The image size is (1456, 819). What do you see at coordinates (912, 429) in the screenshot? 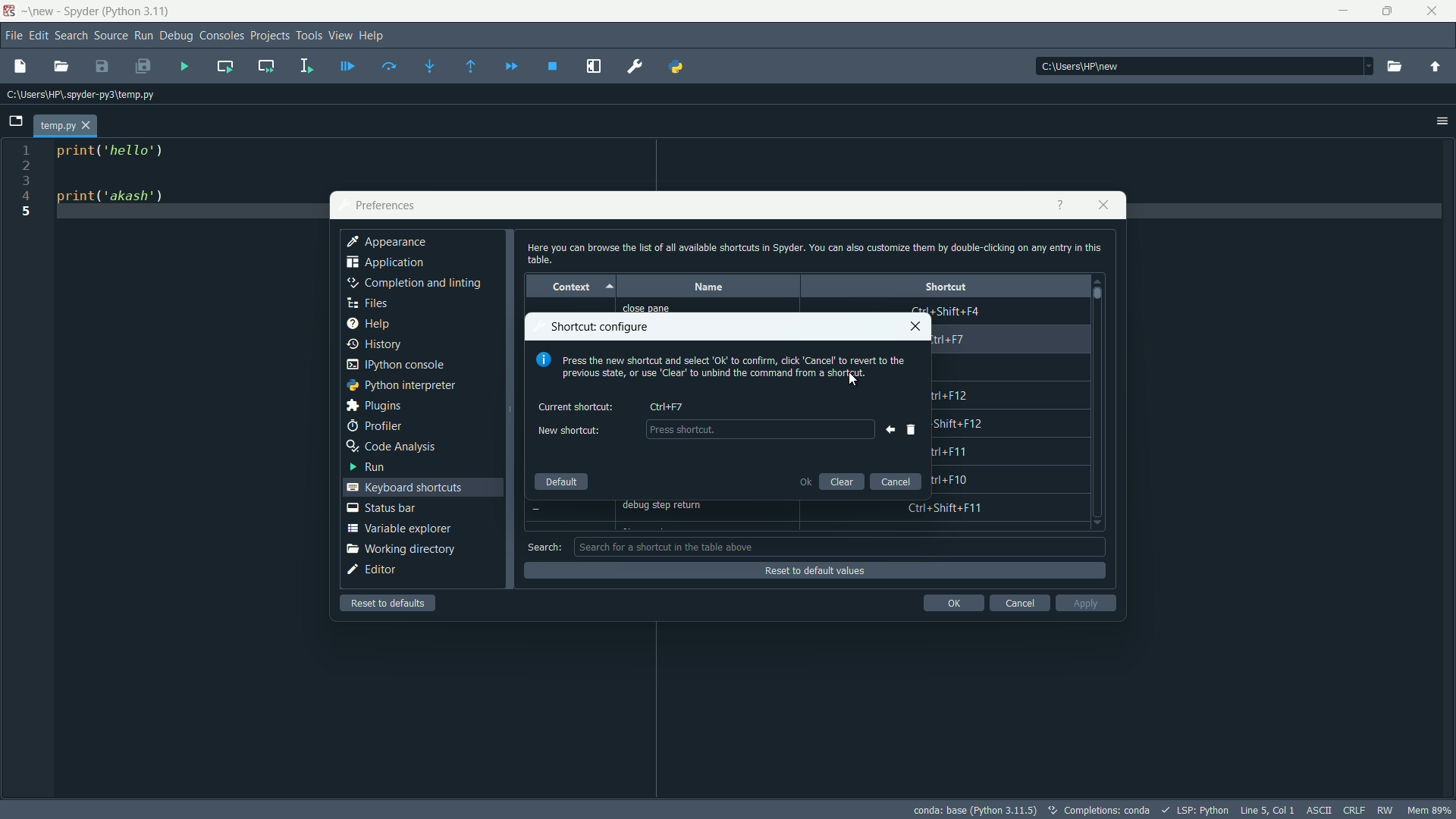
I see `clear all entered key sequences` at bounding box center [912, 429].